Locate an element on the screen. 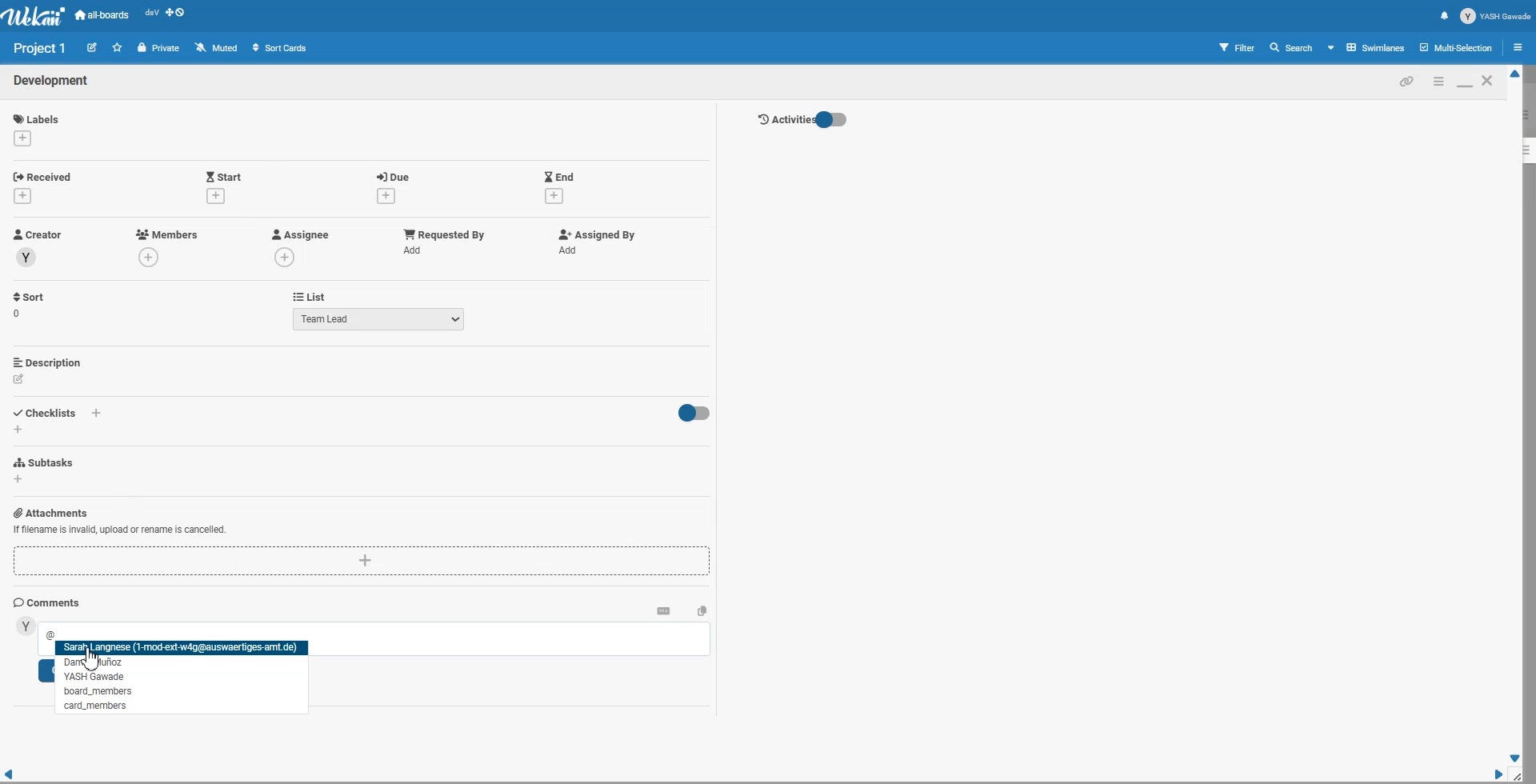  Add Due date is located at coordinates (395, 174).